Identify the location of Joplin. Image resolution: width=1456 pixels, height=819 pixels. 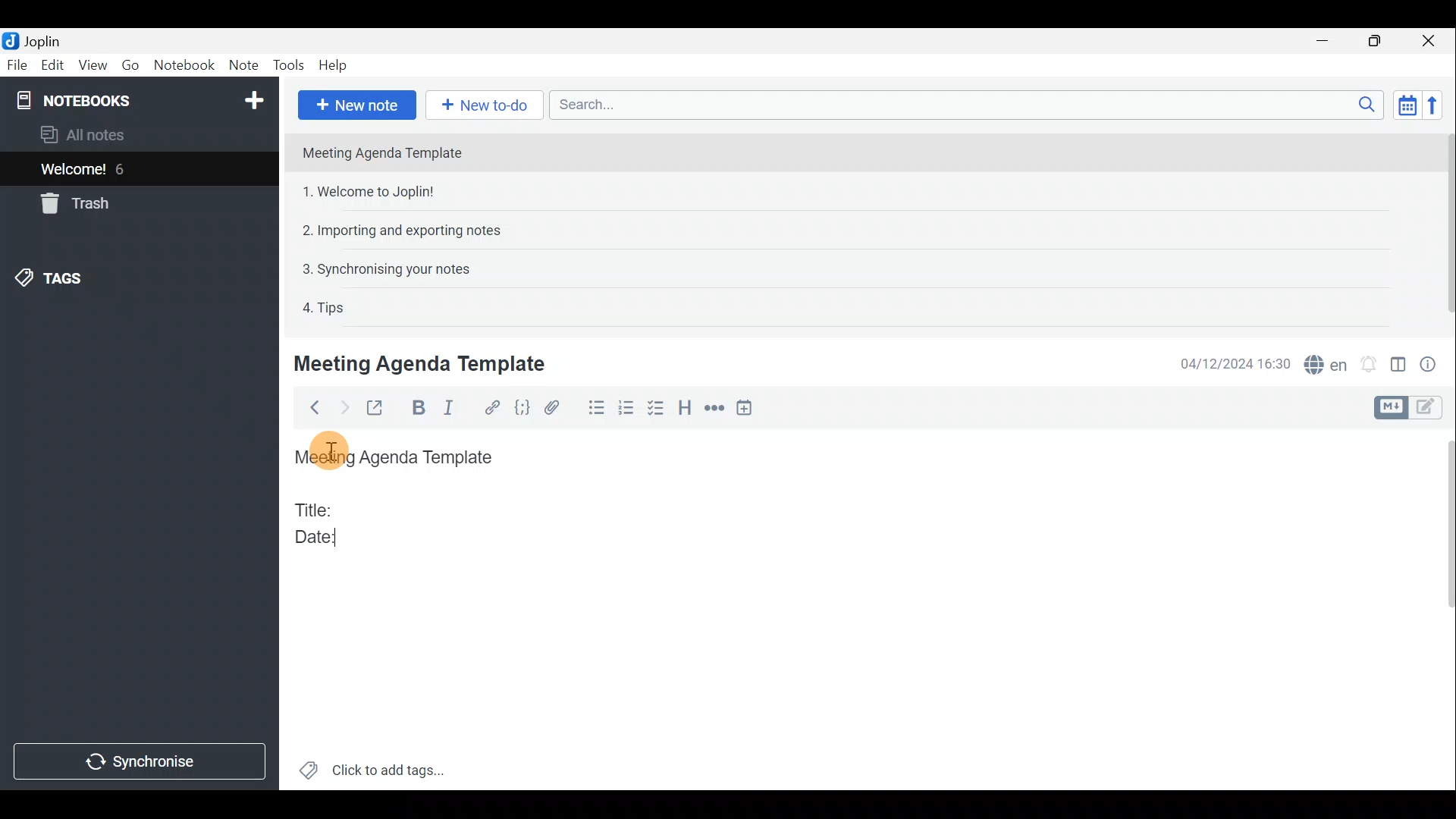
(42, 40).